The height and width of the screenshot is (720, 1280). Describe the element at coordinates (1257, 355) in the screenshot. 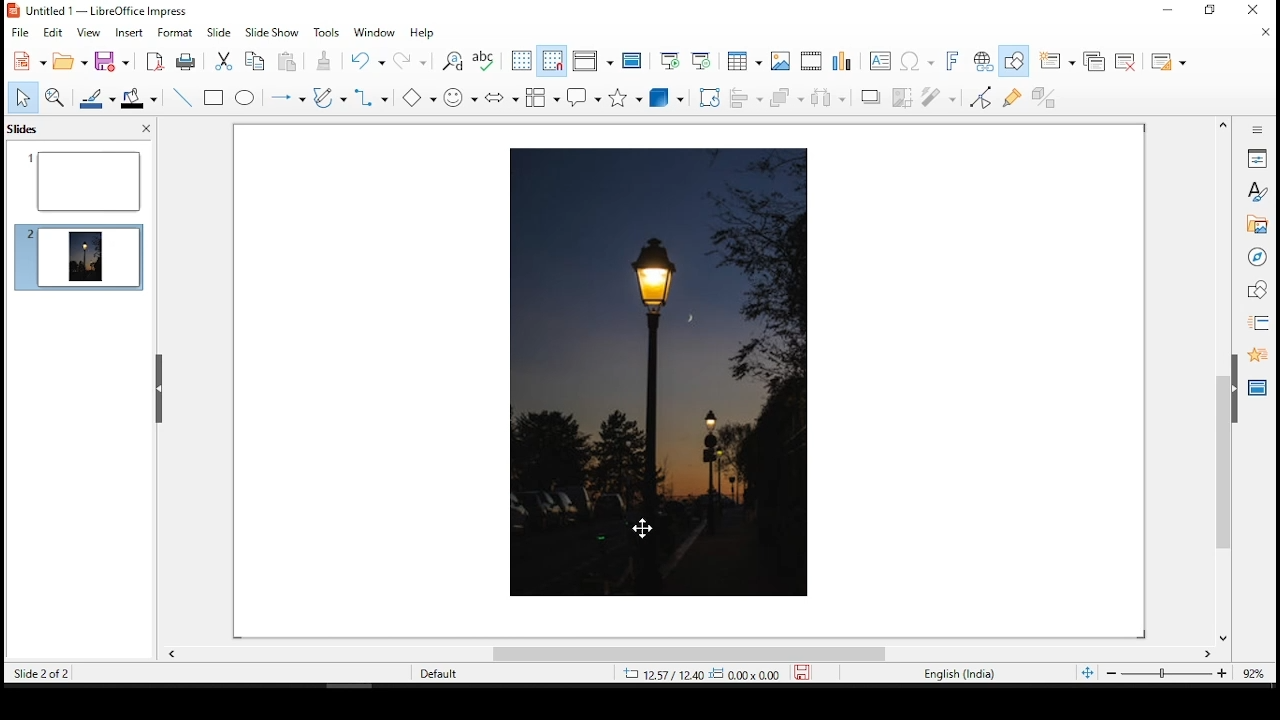

I see `animation` at that location.